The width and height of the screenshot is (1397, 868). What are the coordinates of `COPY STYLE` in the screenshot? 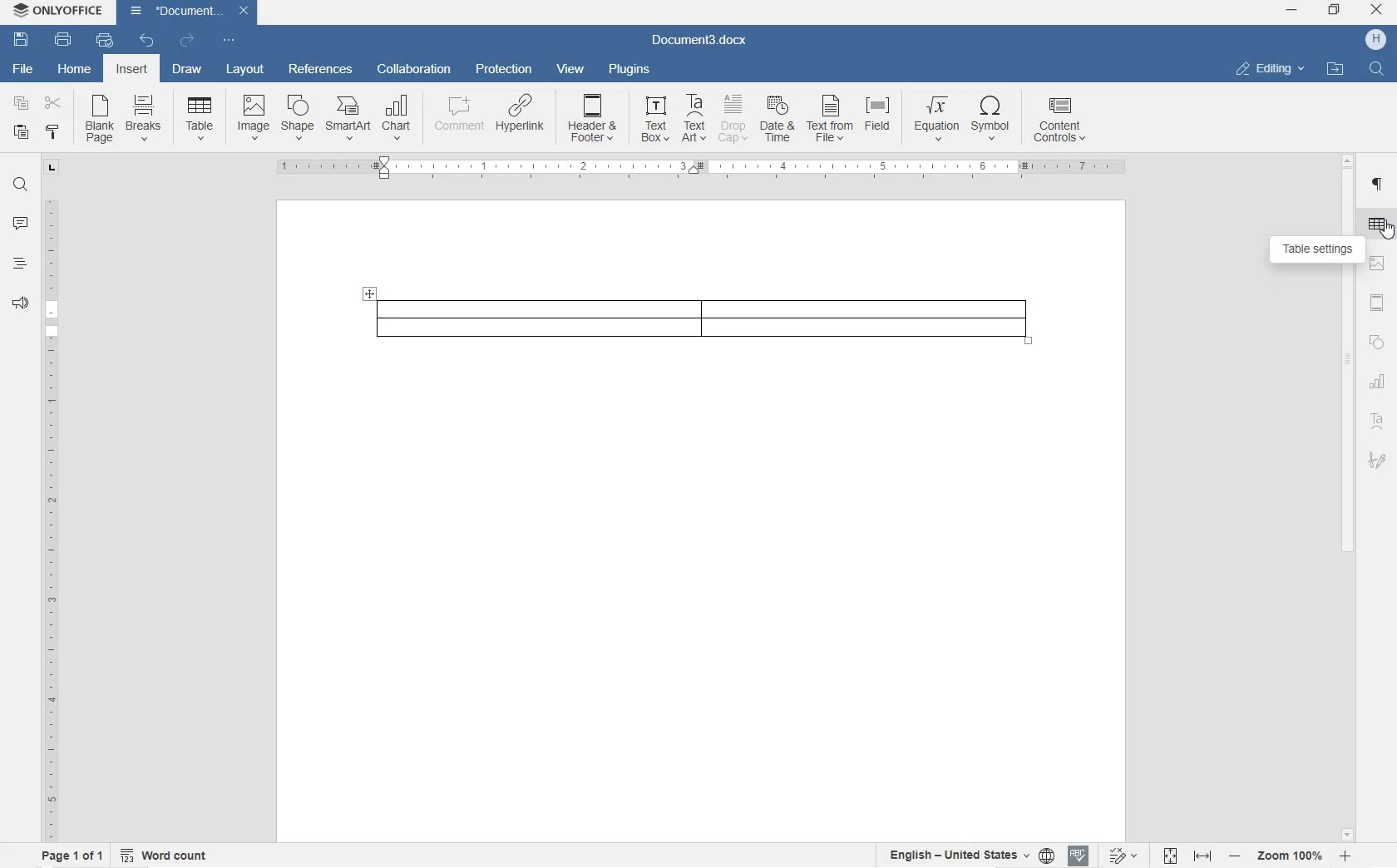 It's located at (54, 134).